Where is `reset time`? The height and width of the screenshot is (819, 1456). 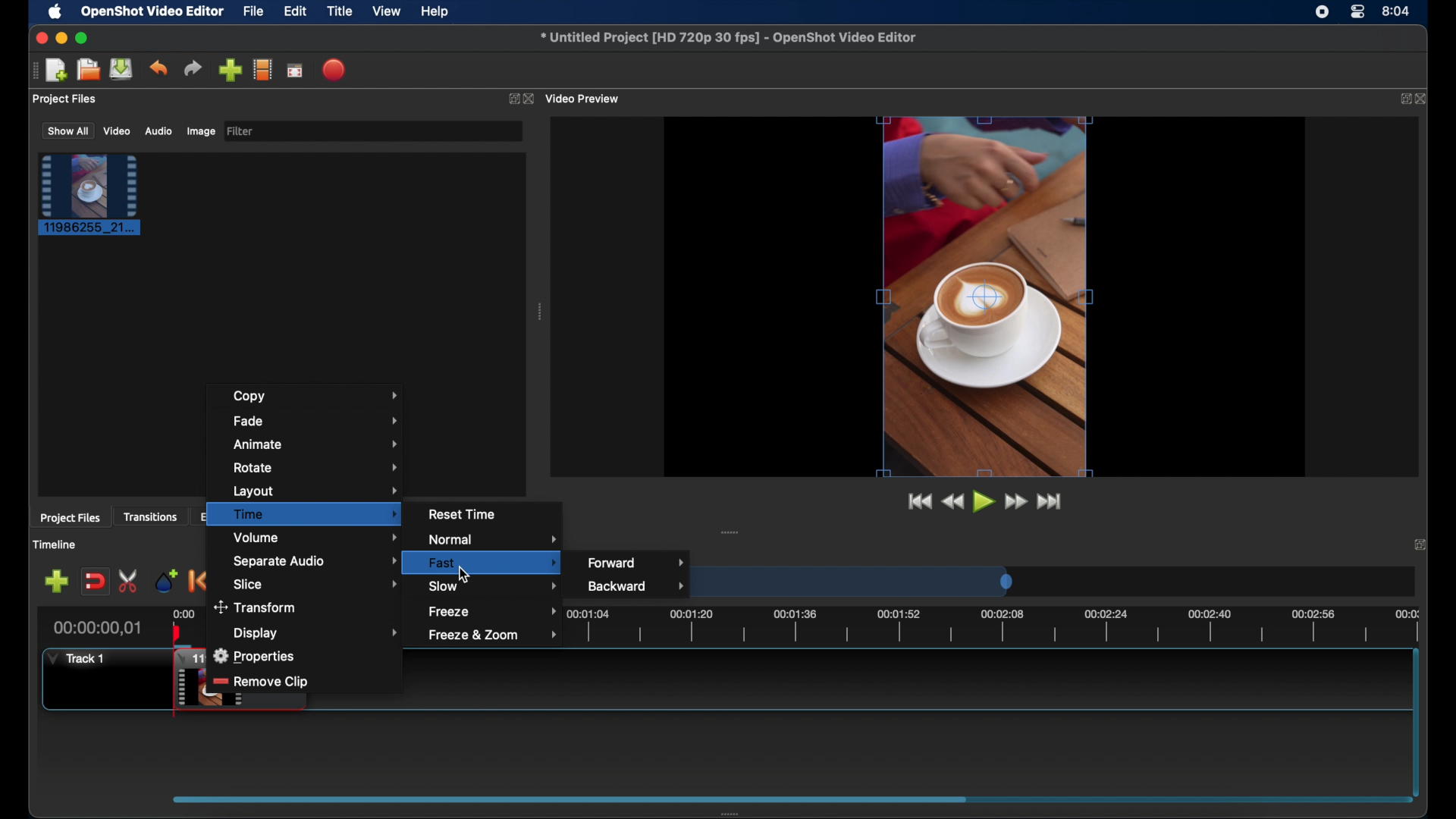 reset time is located at coordinates (464, 513).